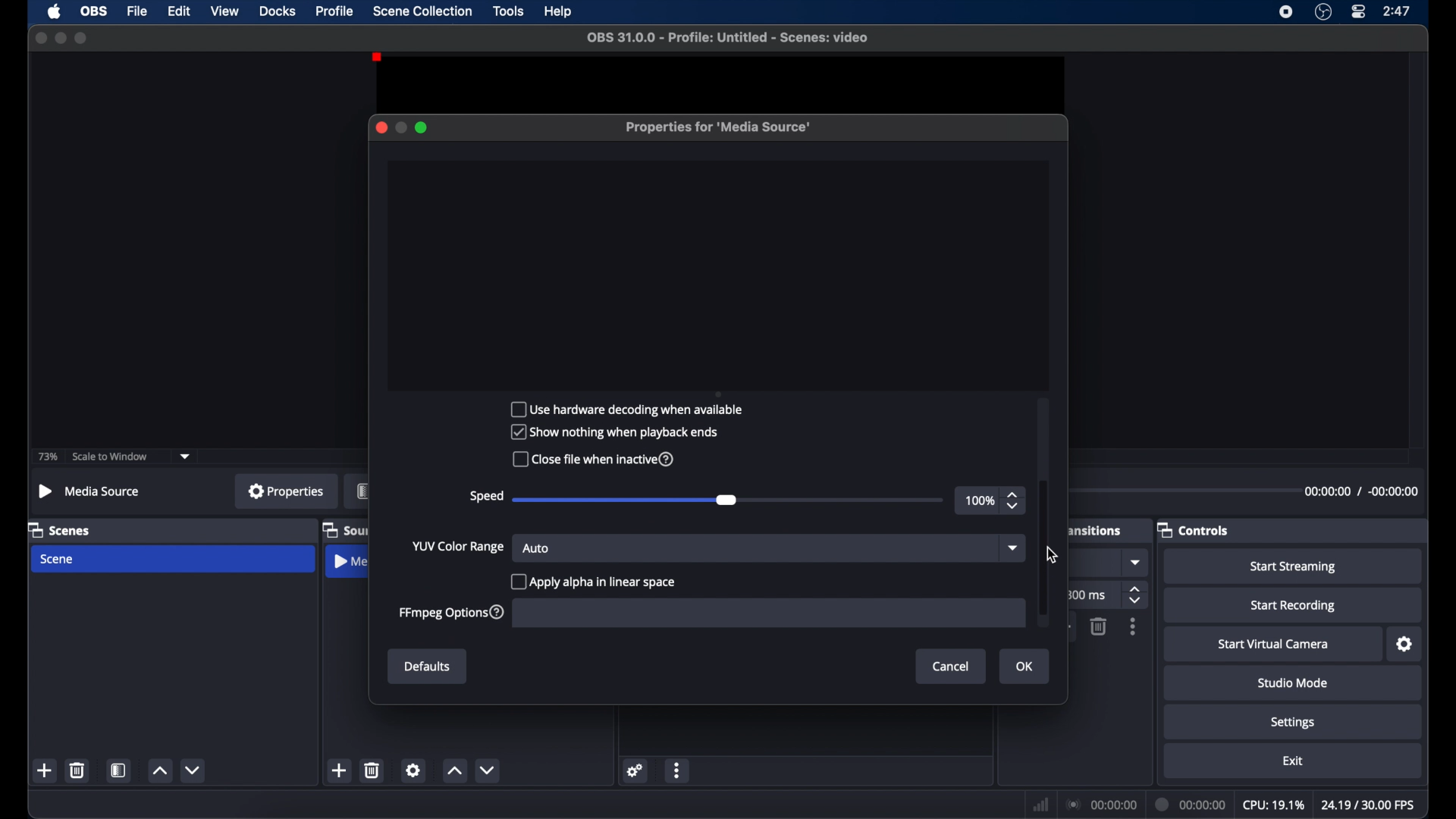  I want to click on studio mode, so click(1293, 684).